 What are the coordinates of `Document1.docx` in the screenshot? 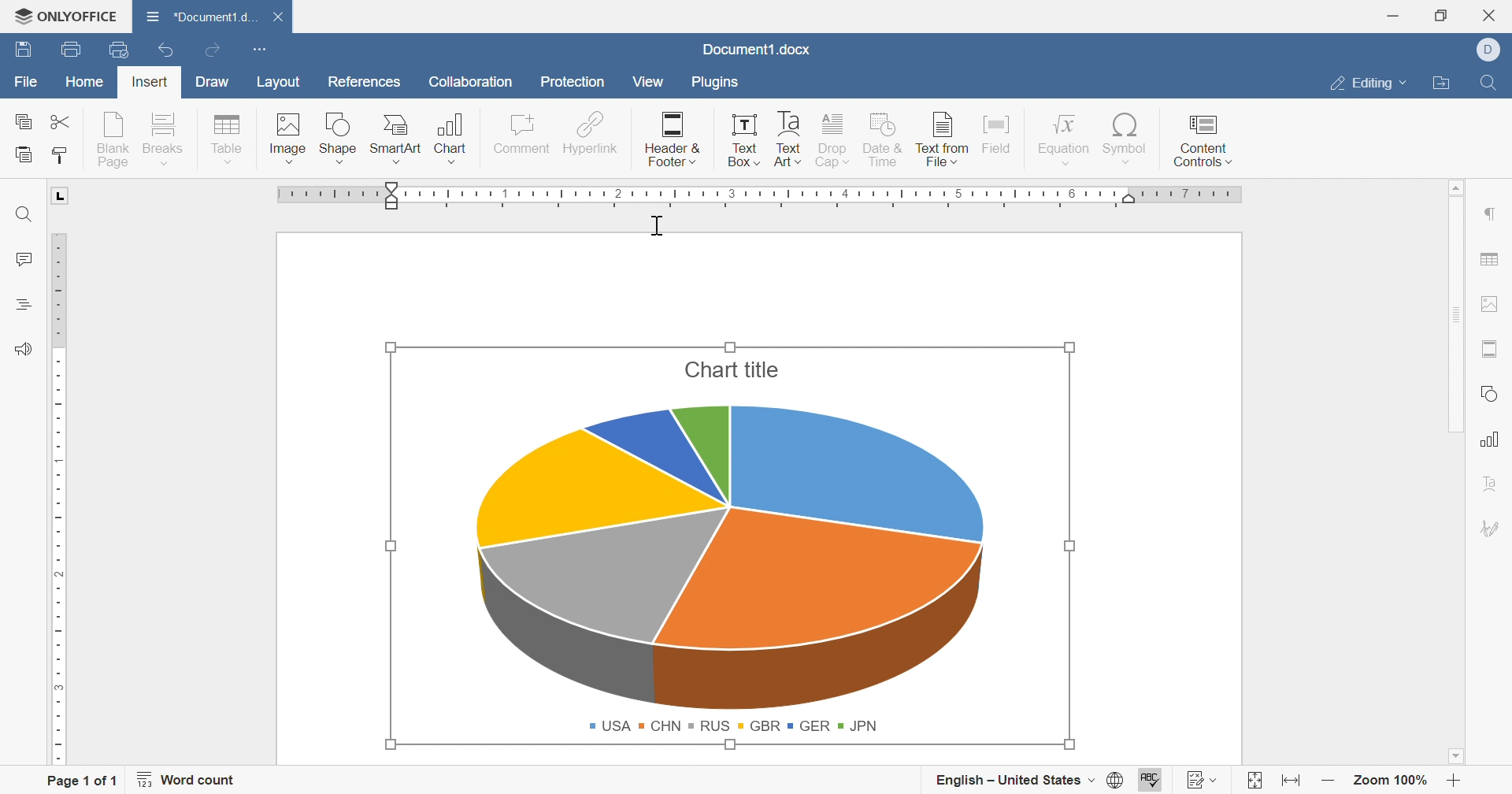 It's located at (206, 17).